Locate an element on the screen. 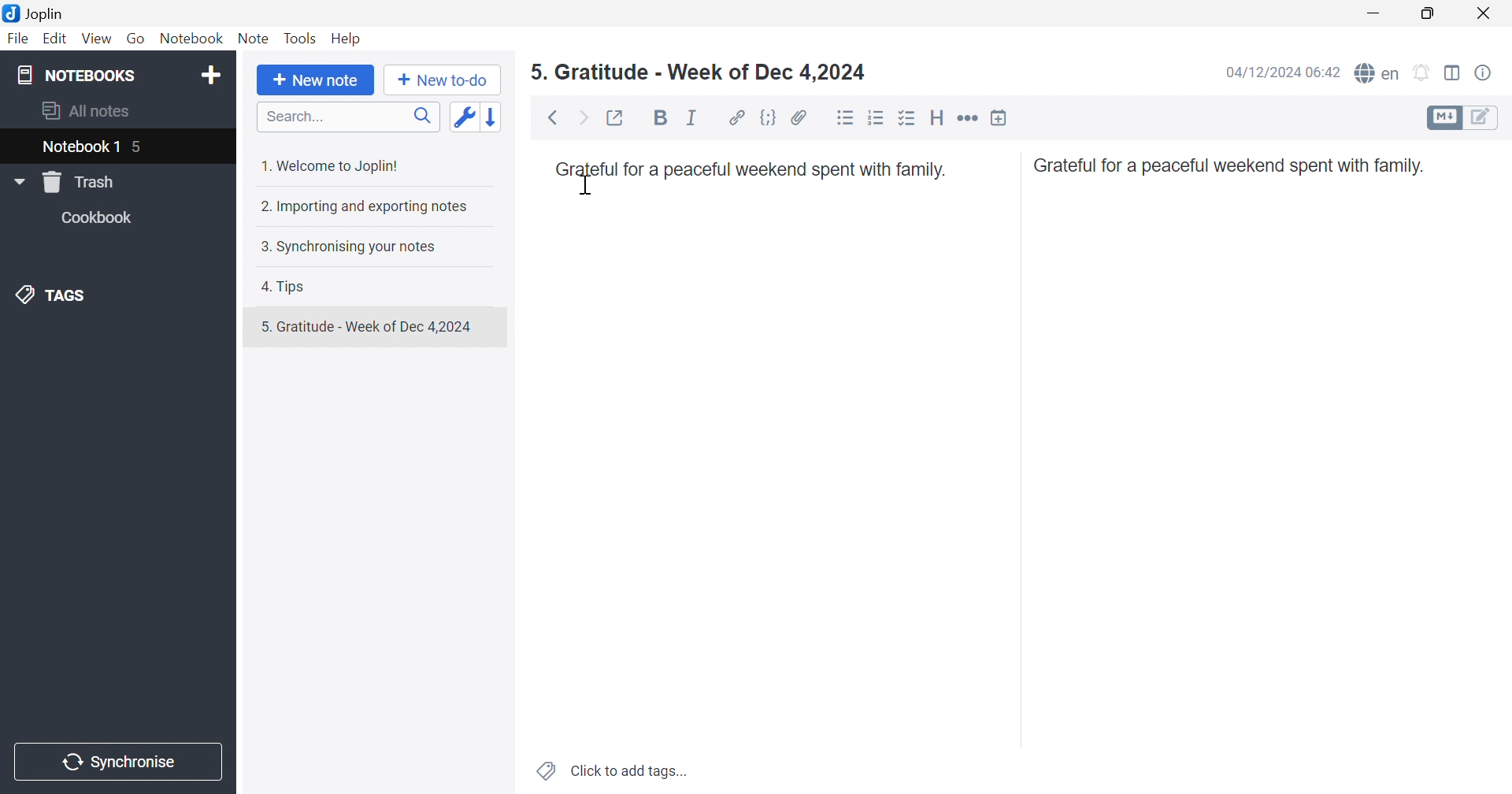  Notebook is located at coordinates (190, 38).